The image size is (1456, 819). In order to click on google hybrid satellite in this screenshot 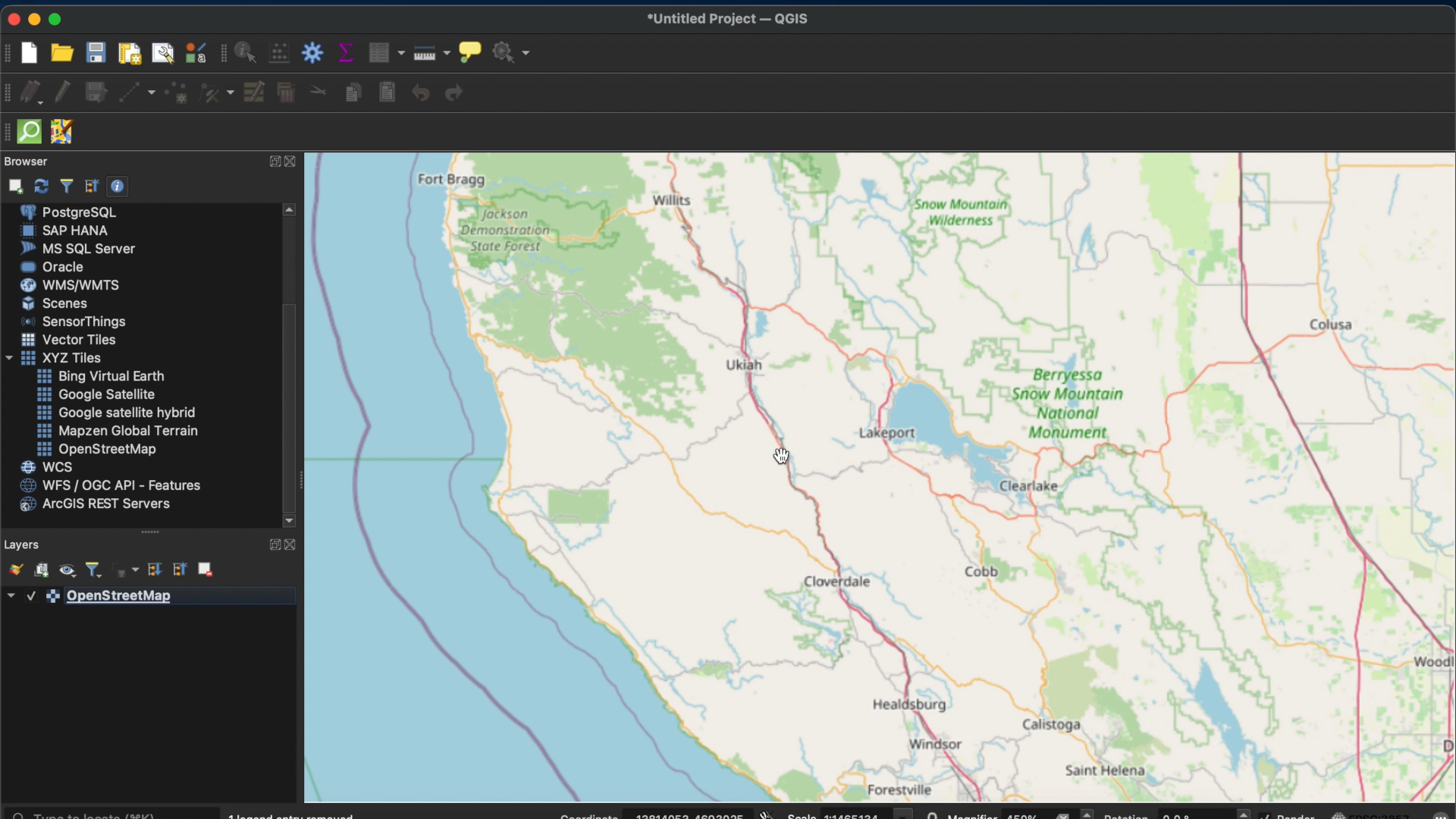, I will do `click(118, 412)`.